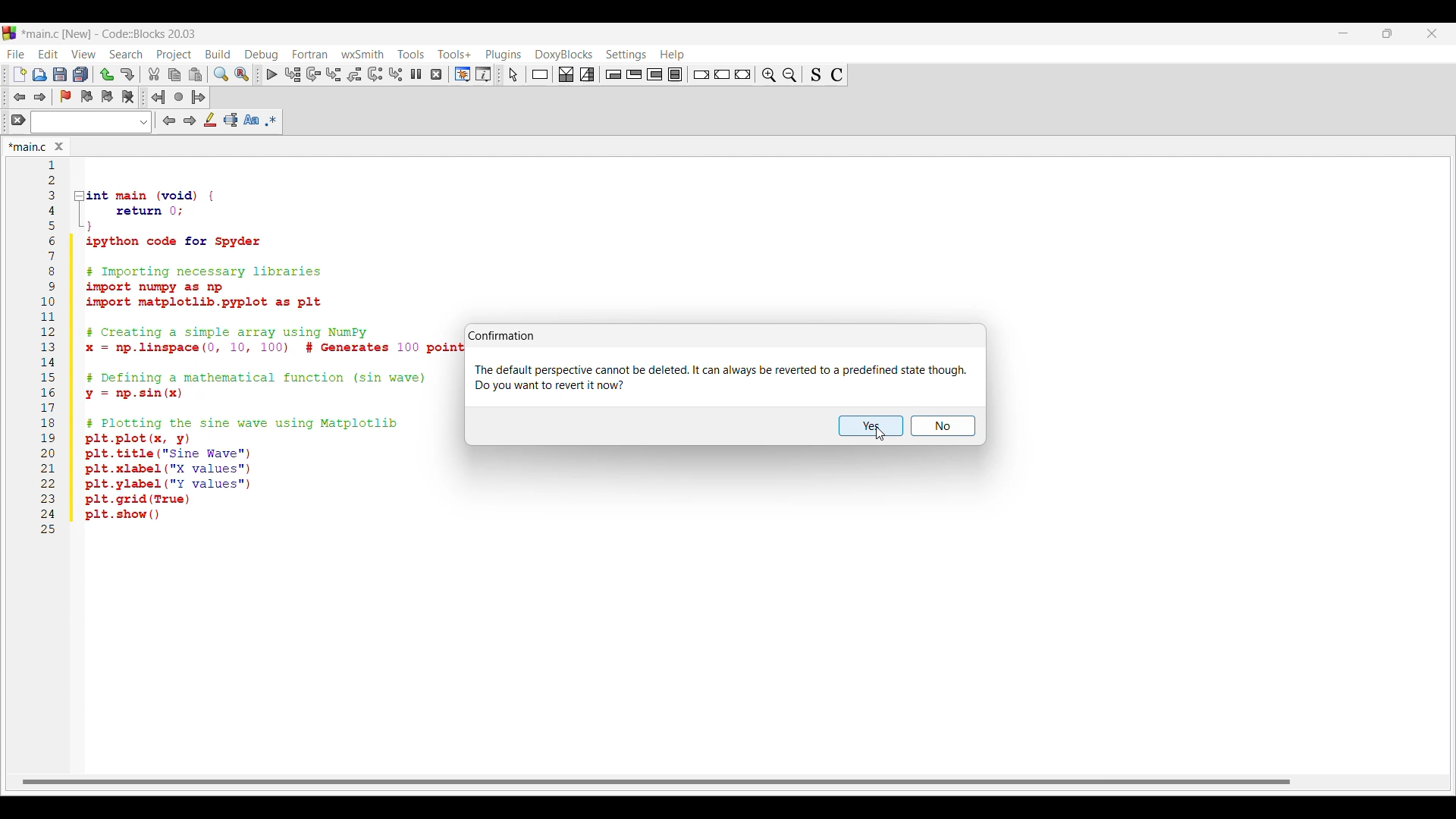 The image size is (1456, 819). I want to click on Project menu, so click(175, 55).